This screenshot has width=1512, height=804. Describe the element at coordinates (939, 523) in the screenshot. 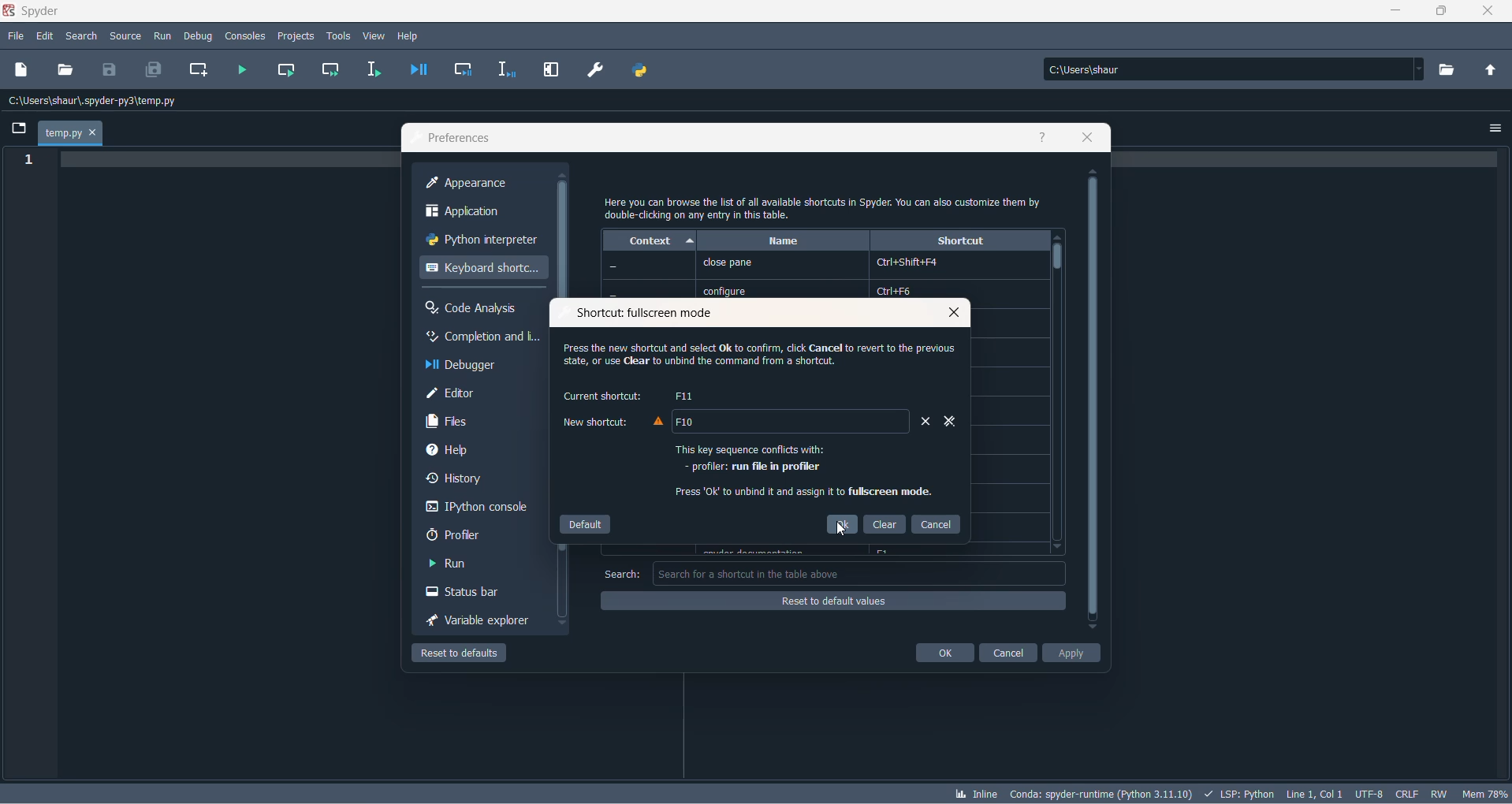

I see `cancel` at that location.